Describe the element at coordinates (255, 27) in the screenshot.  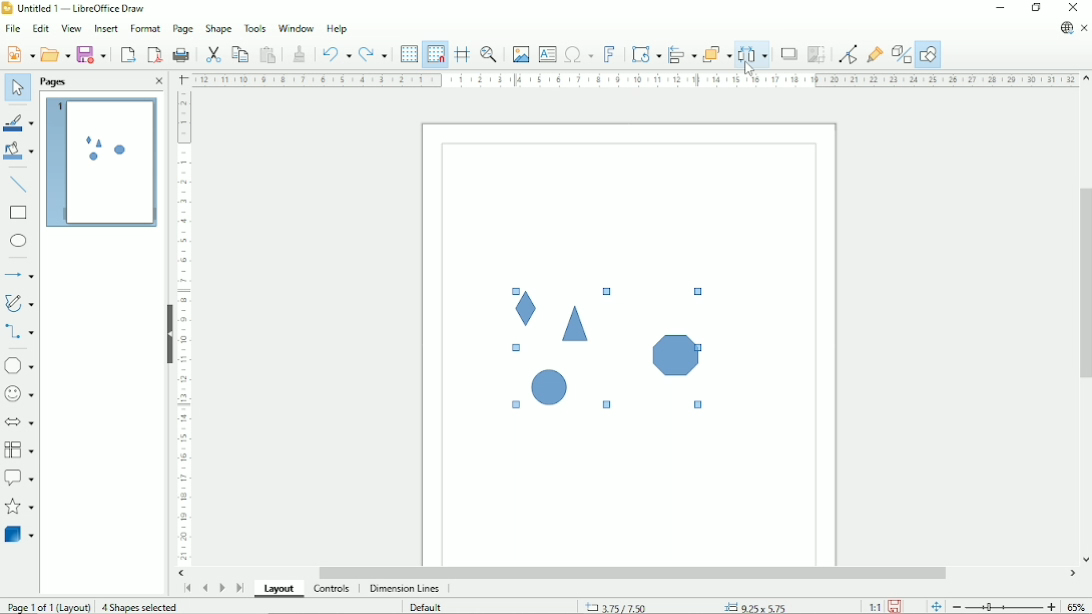
I see `Tools` at that location.